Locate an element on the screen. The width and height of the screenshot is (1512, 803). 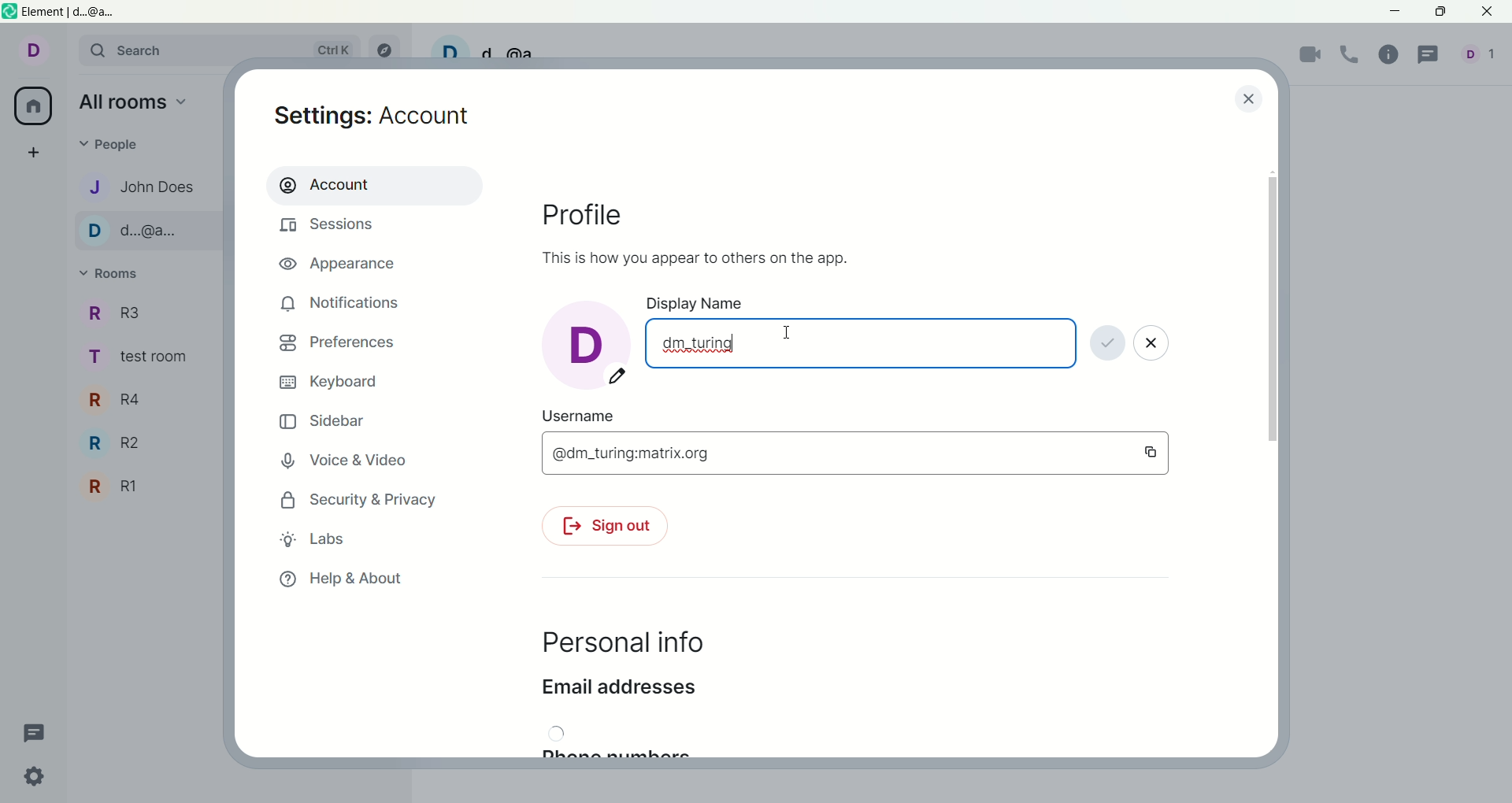
create a space is located at coordinates (39, 154).